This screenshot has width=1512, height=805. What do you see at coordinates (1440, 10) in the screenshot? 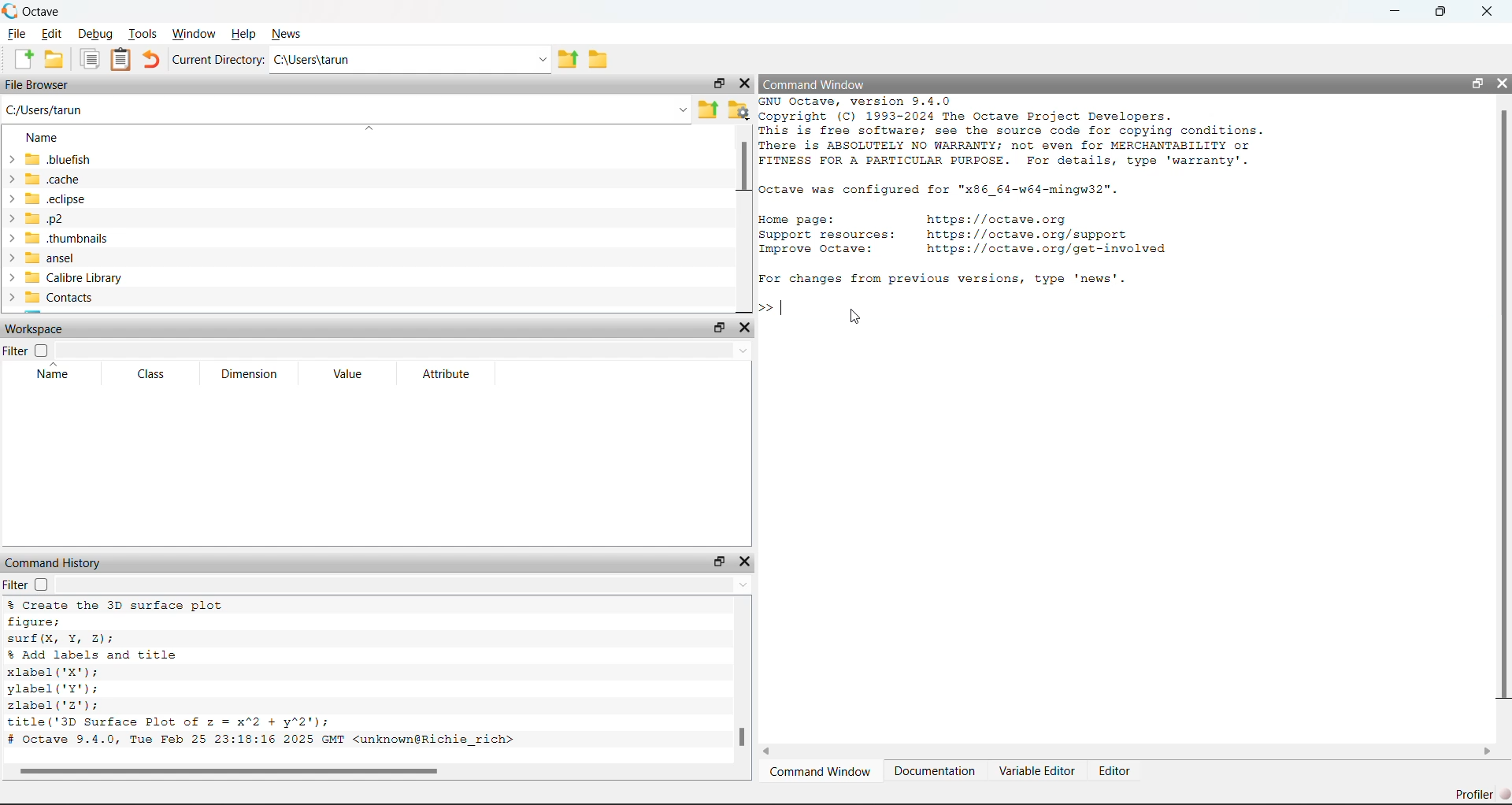
I see `Restore Down` at bounding box center [1440, 10].